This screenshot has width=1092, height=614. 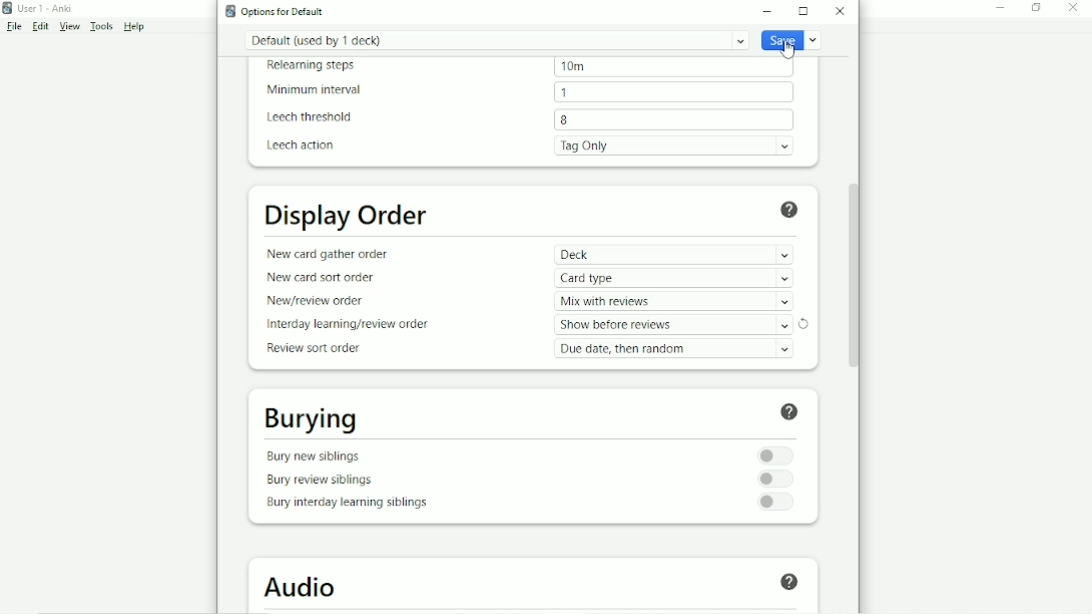 I want to click on Bury interday learning siblings, so click(x=345, y=505).